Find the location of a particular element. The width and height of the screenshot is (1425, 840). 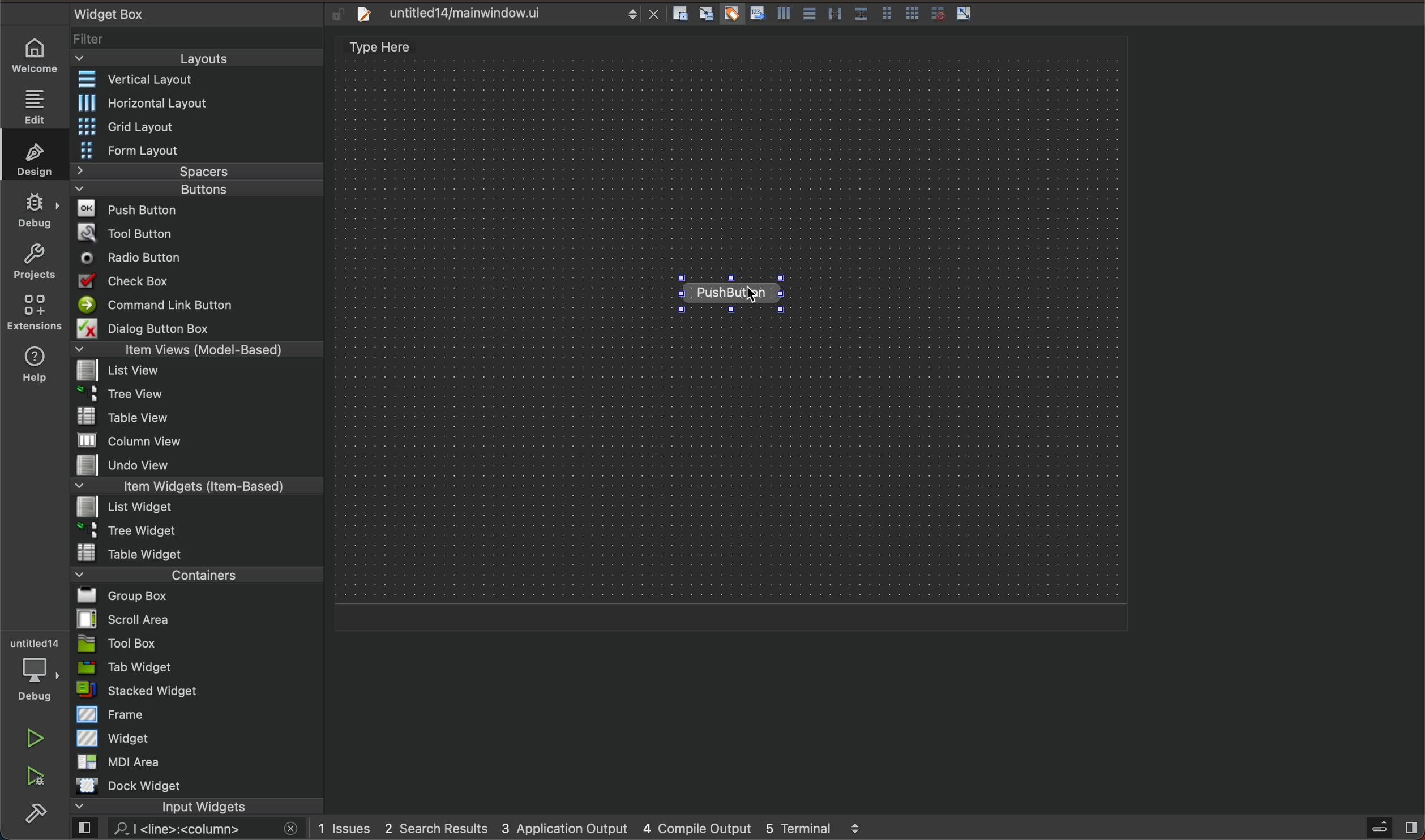

column view is located at coordinates (198, 443).